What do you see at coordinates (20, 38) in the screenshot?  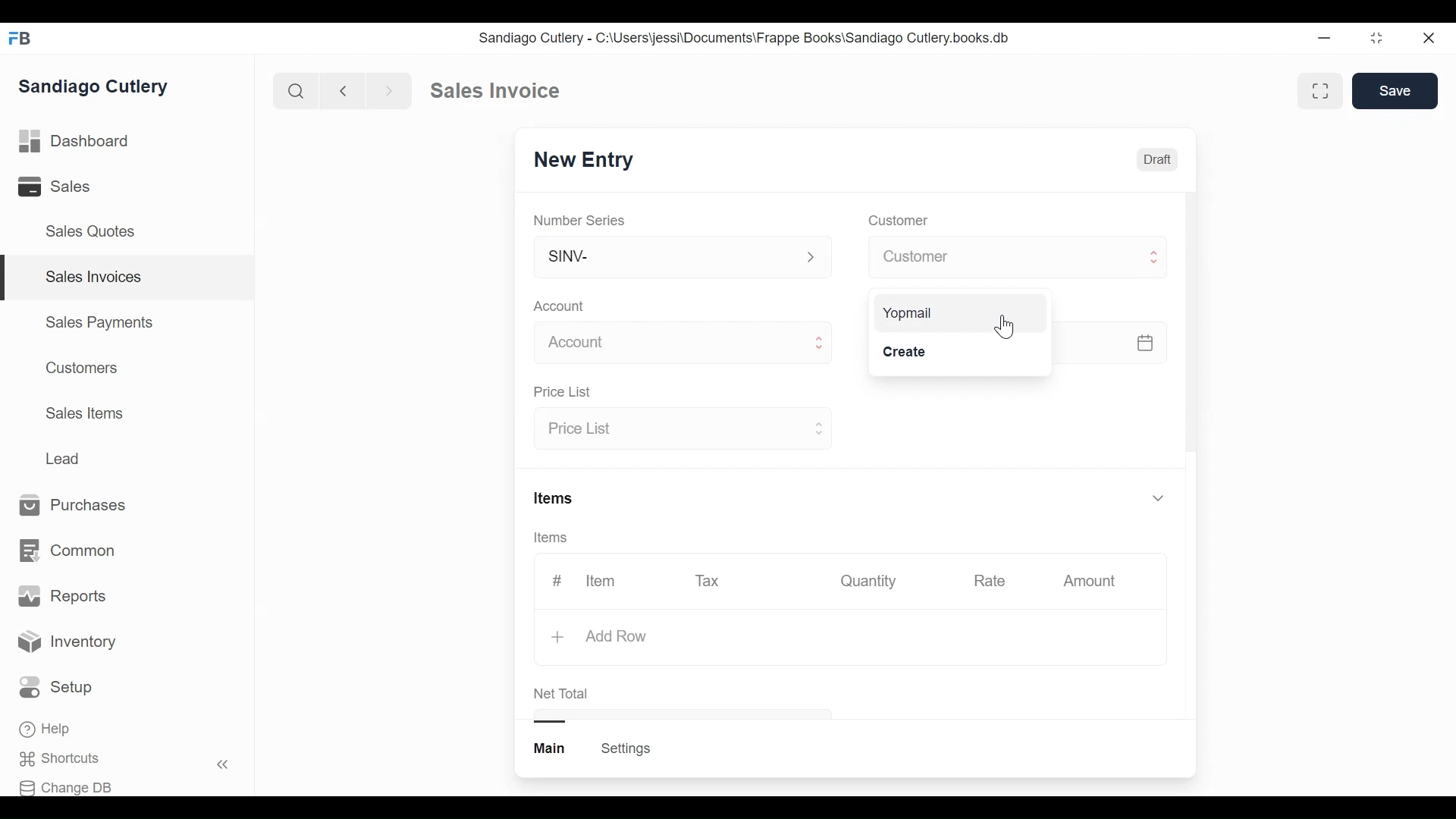 I see `FB logo` at bounding box center [20, 38].